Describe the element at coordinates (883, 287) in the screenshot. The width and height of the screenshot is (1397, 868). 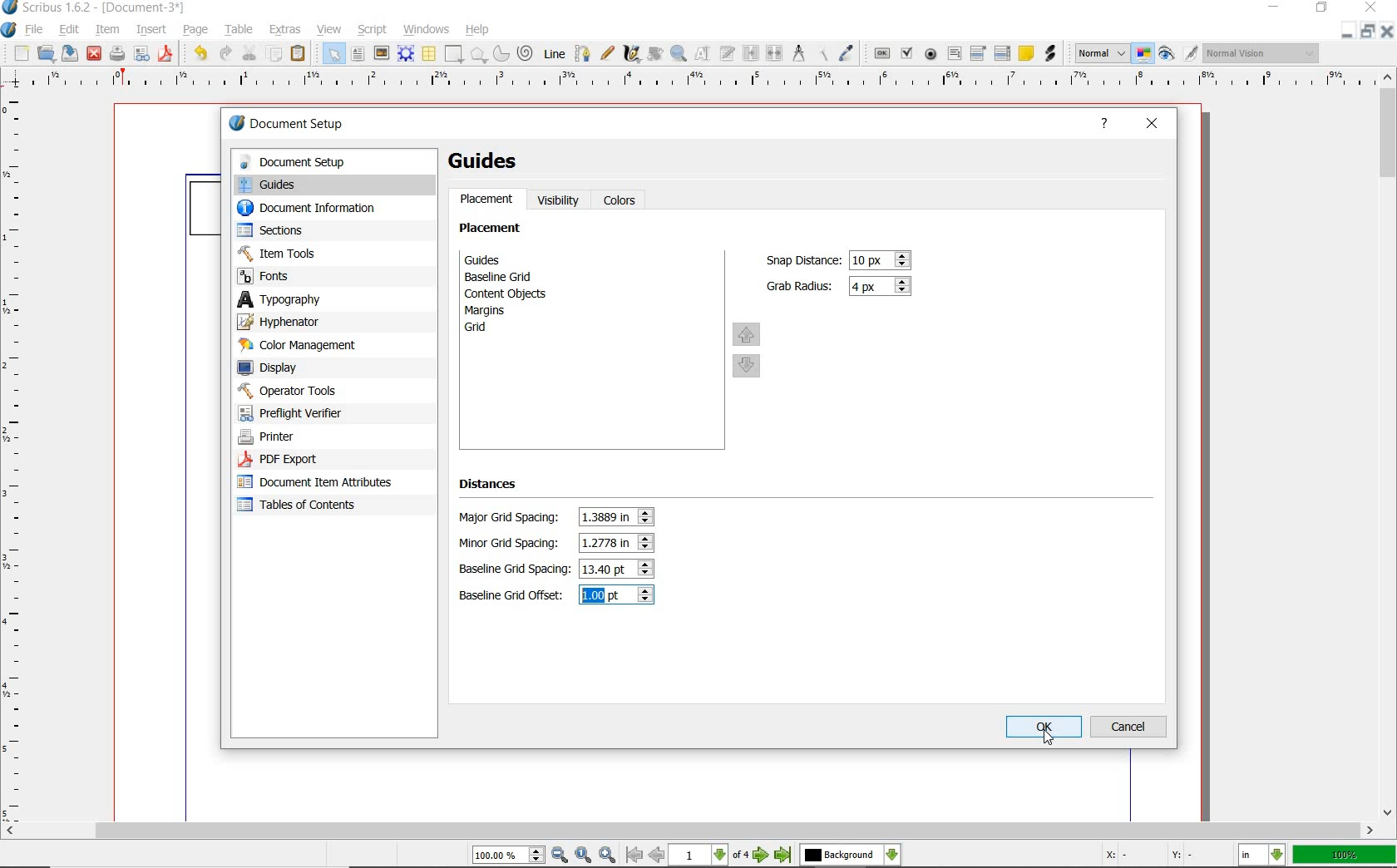
I see `grab radius` at that location.